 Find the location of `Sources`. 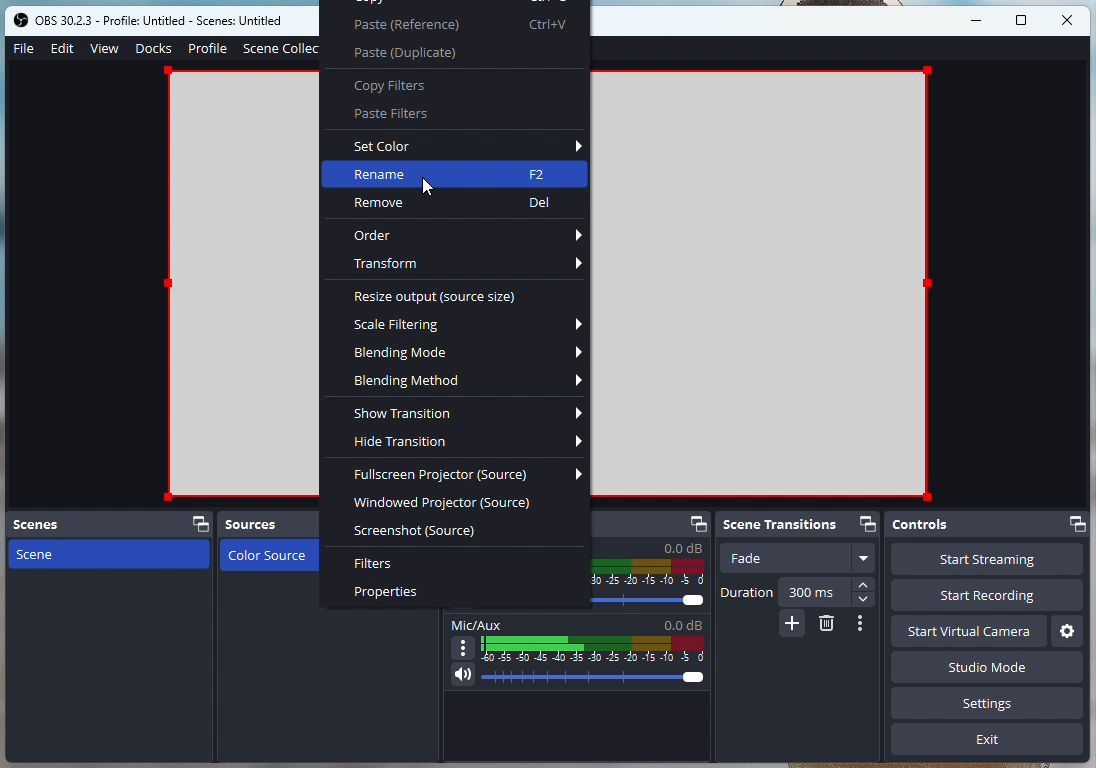

Sources is located at coordinates (265, 524).